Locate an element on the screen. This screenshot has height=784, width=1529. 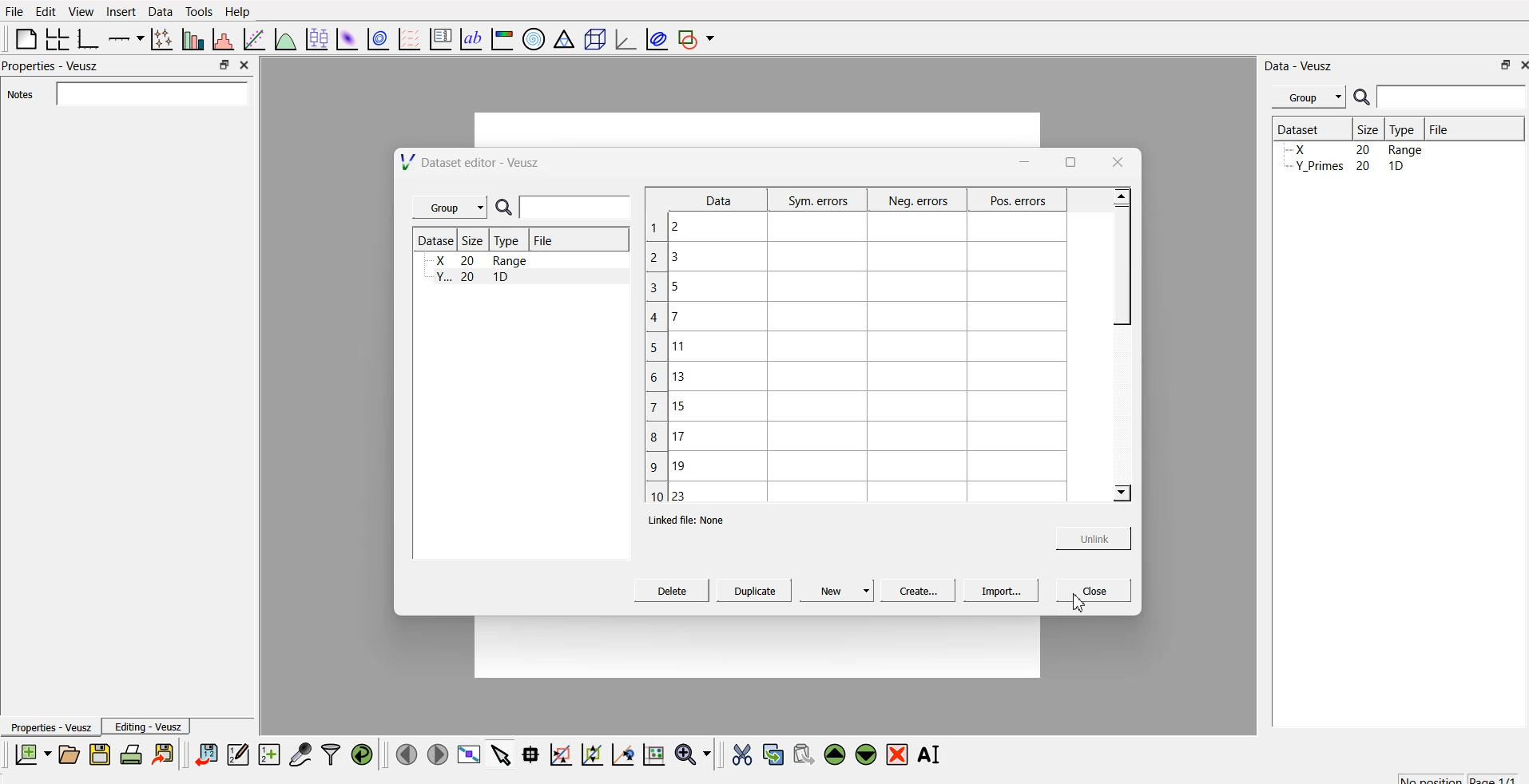
New is located at coordinates (836, 592).